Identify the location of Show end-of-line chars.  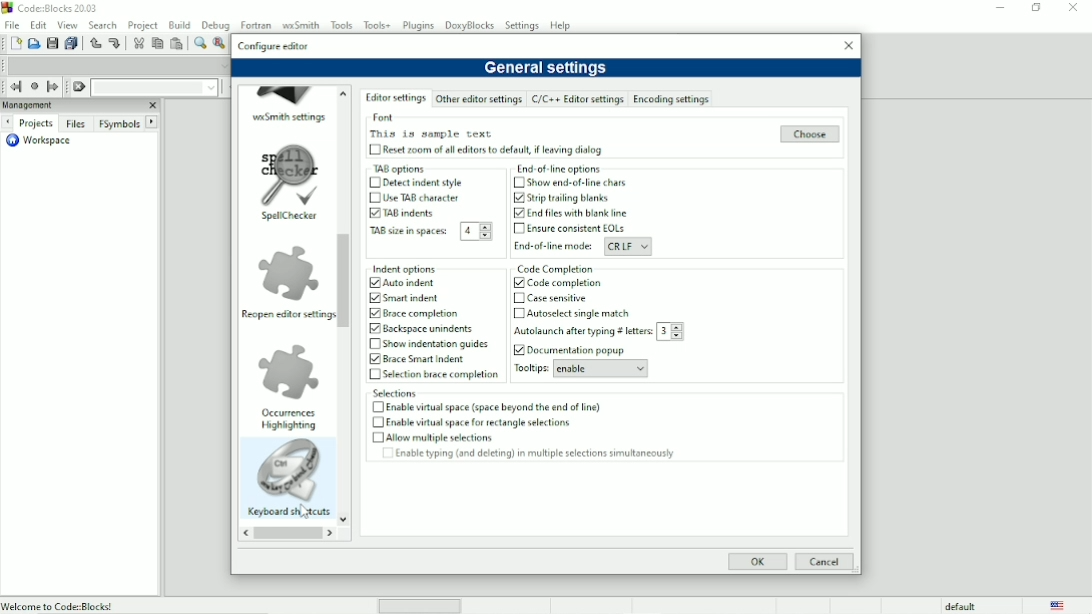
(578, 183).